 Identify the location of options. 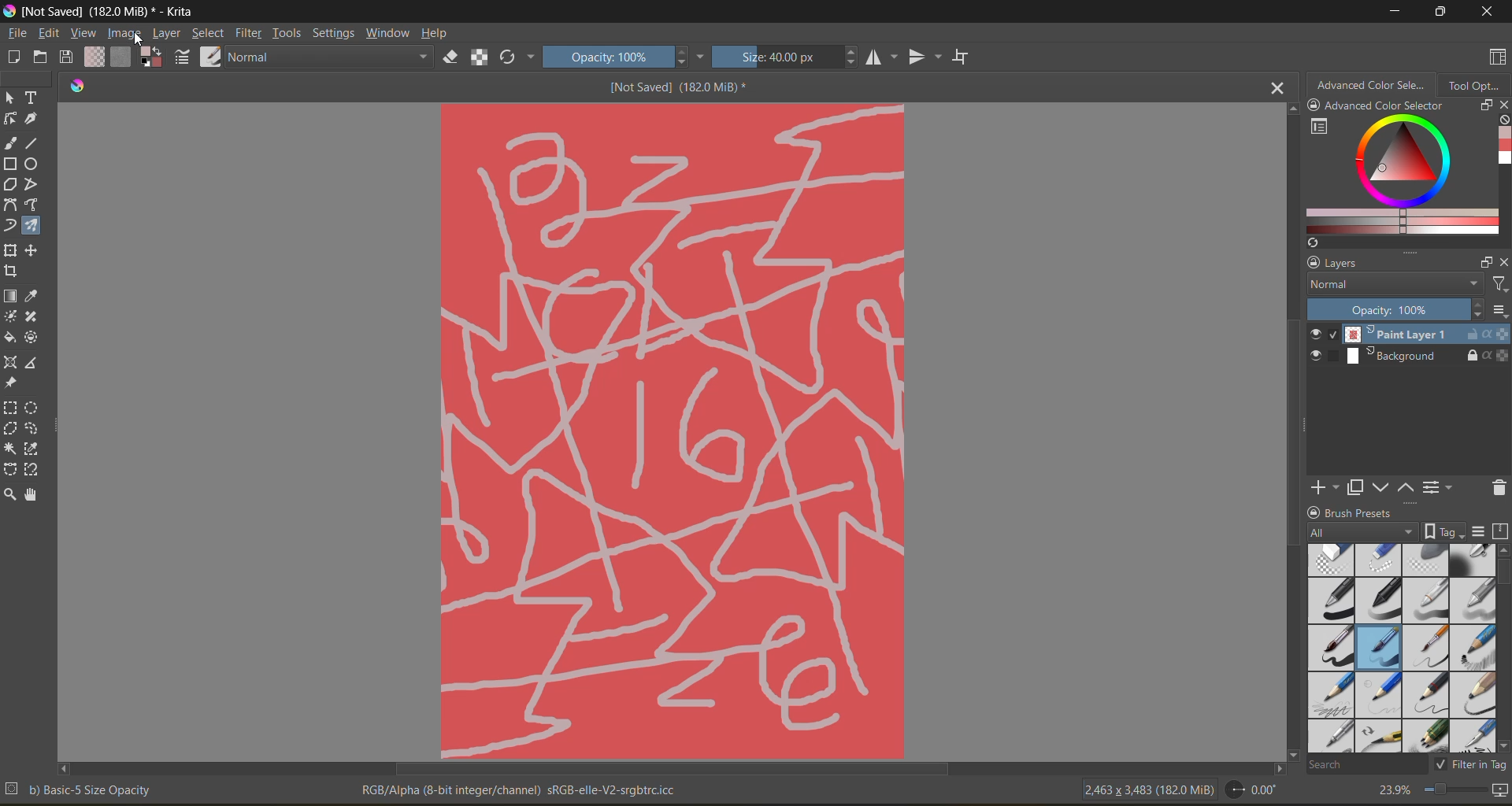
(1499, 312).